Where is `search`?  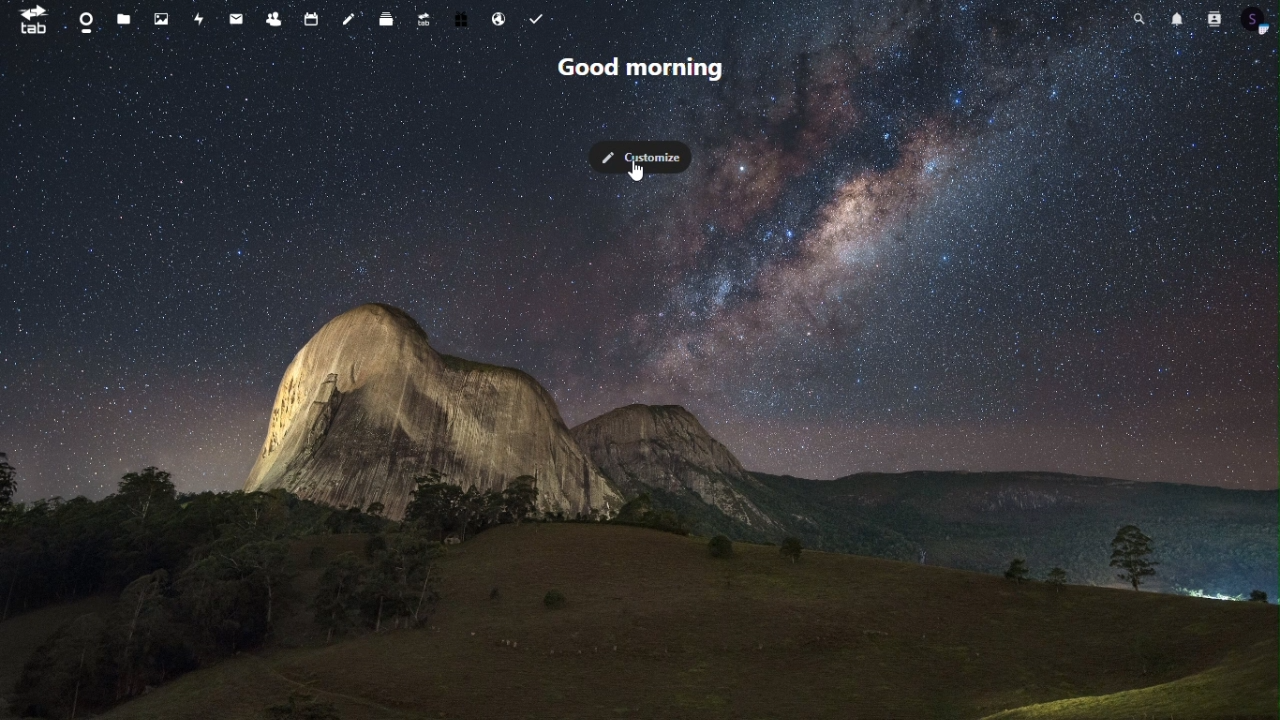 search is located at coordinates (1136, 19).